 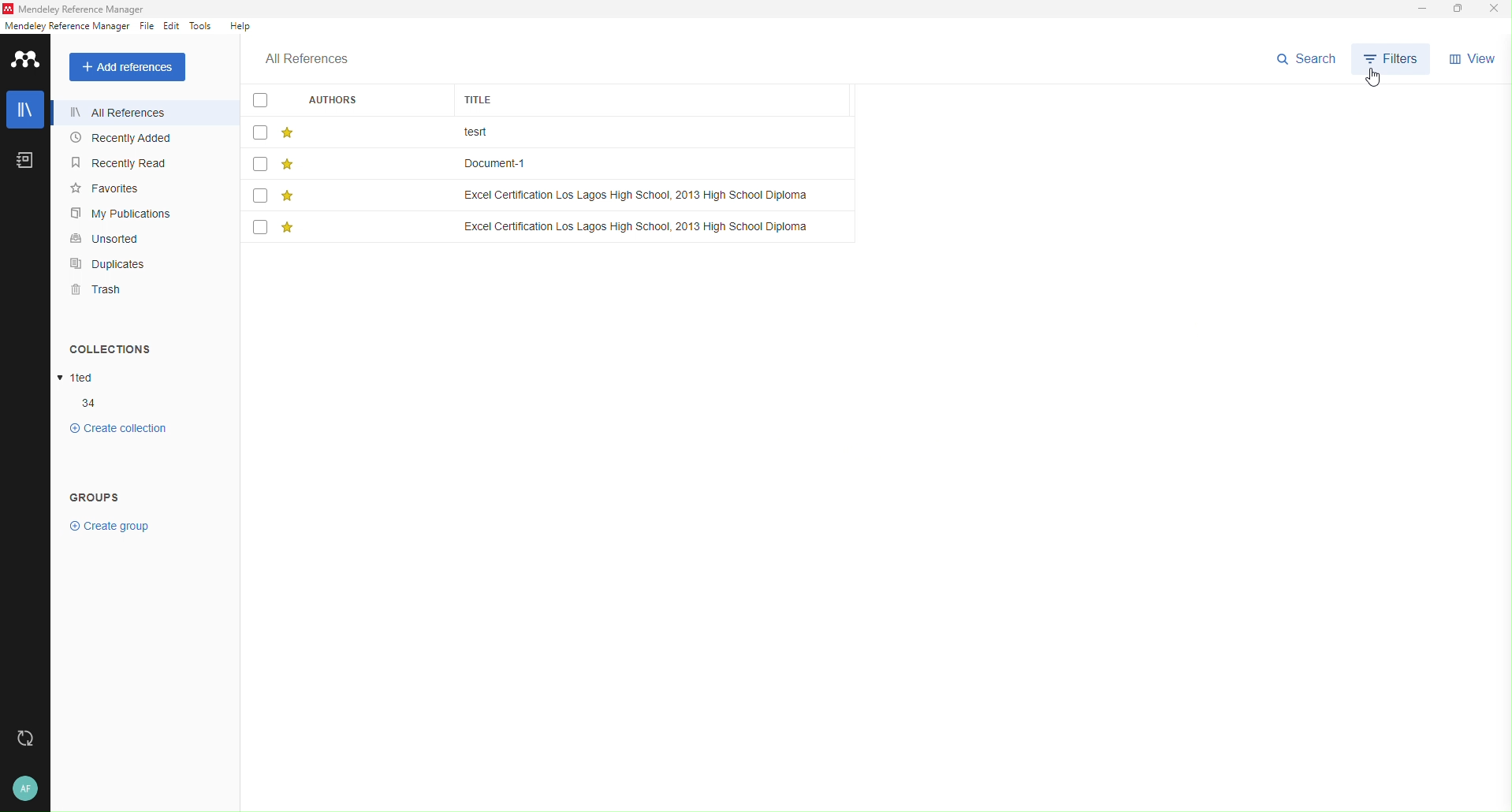 I want to click on Notebook, so click(x=22, y=159).